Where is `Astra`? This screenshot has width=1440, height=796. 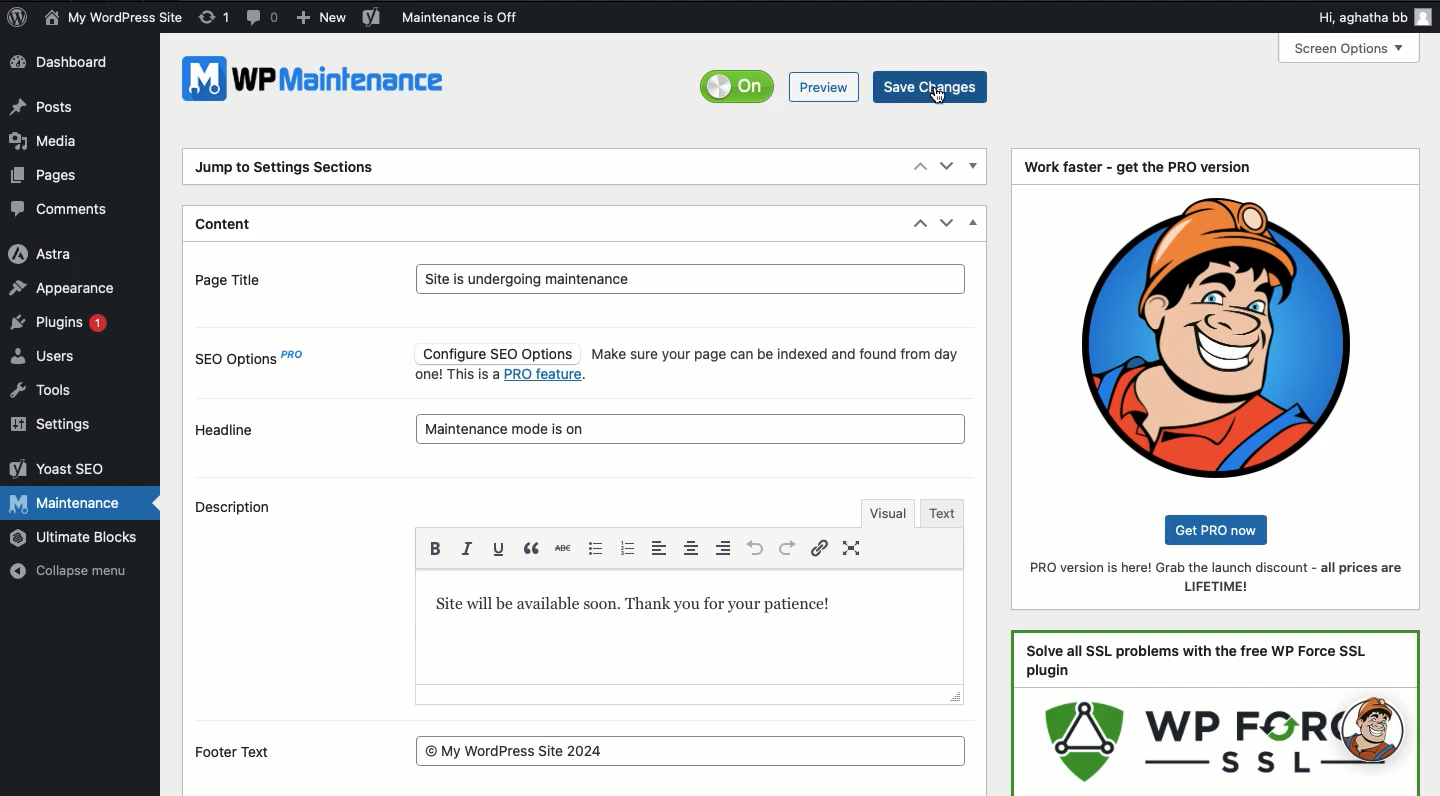 Astra is located at coordinates (43, 255).